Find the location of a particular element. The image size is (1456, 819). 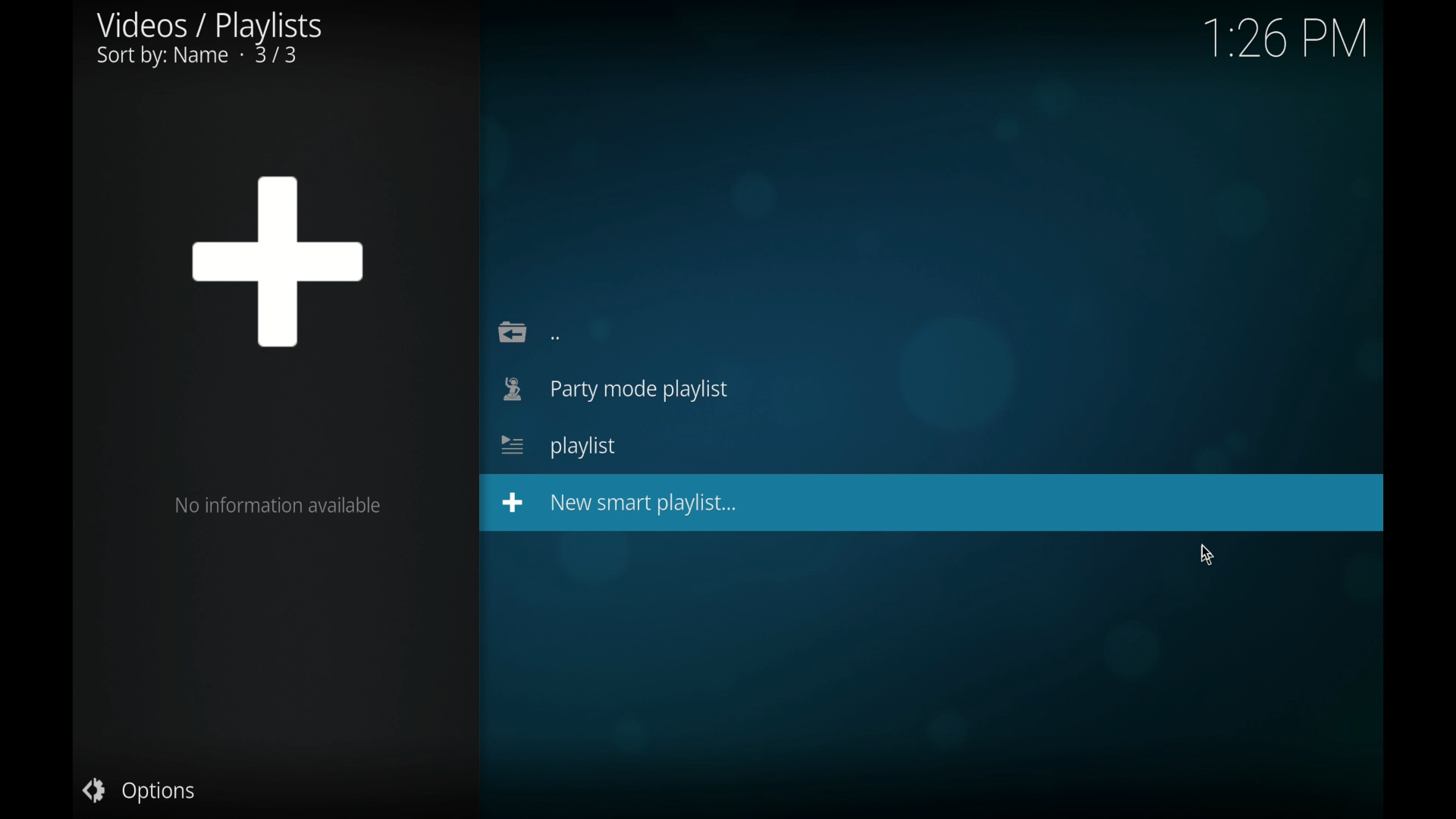

plus sign icon is located at coordinates (278, 261).